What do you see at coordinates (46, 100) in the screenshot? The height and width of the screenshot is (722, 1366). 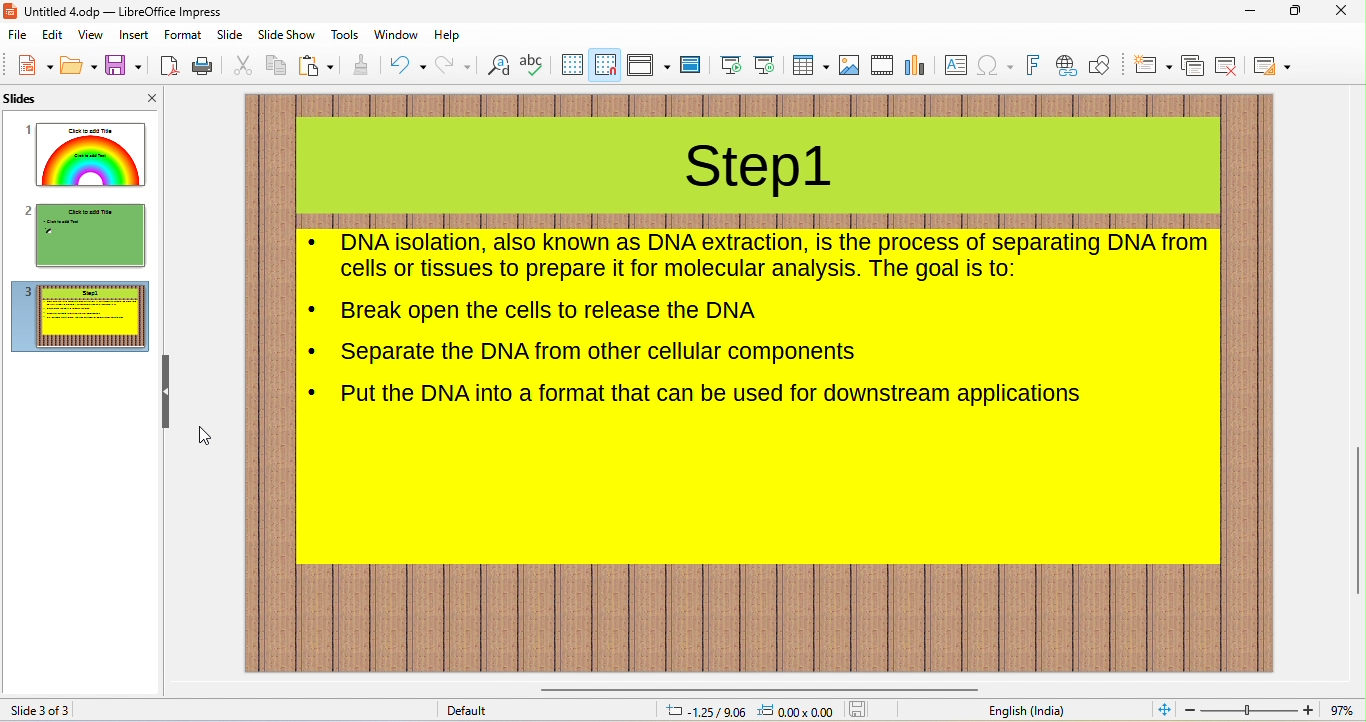 I see `slides` at bounding box center [46, 100].